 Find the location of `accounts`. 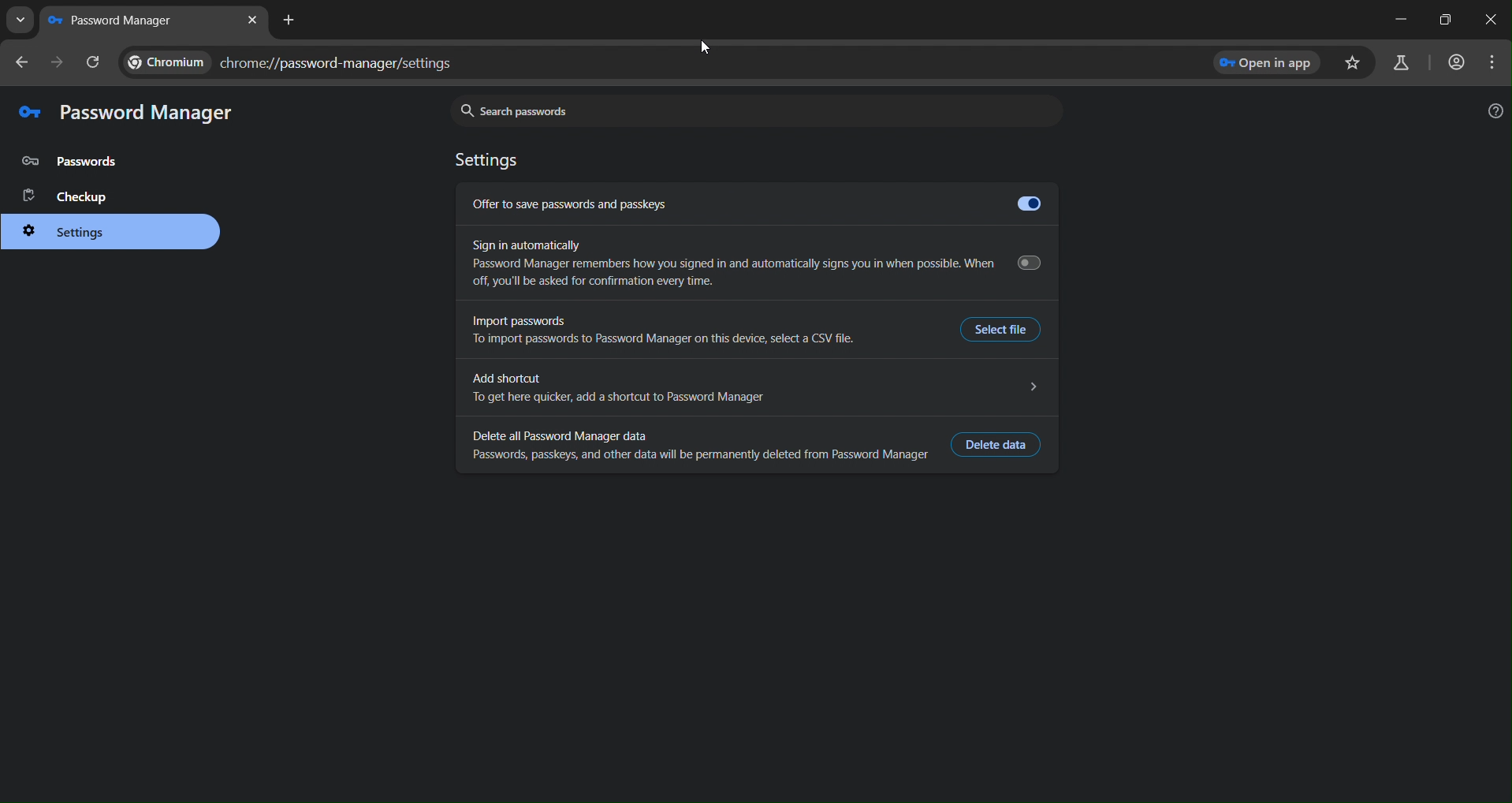

accounts is located at coordinates (1458, 62).